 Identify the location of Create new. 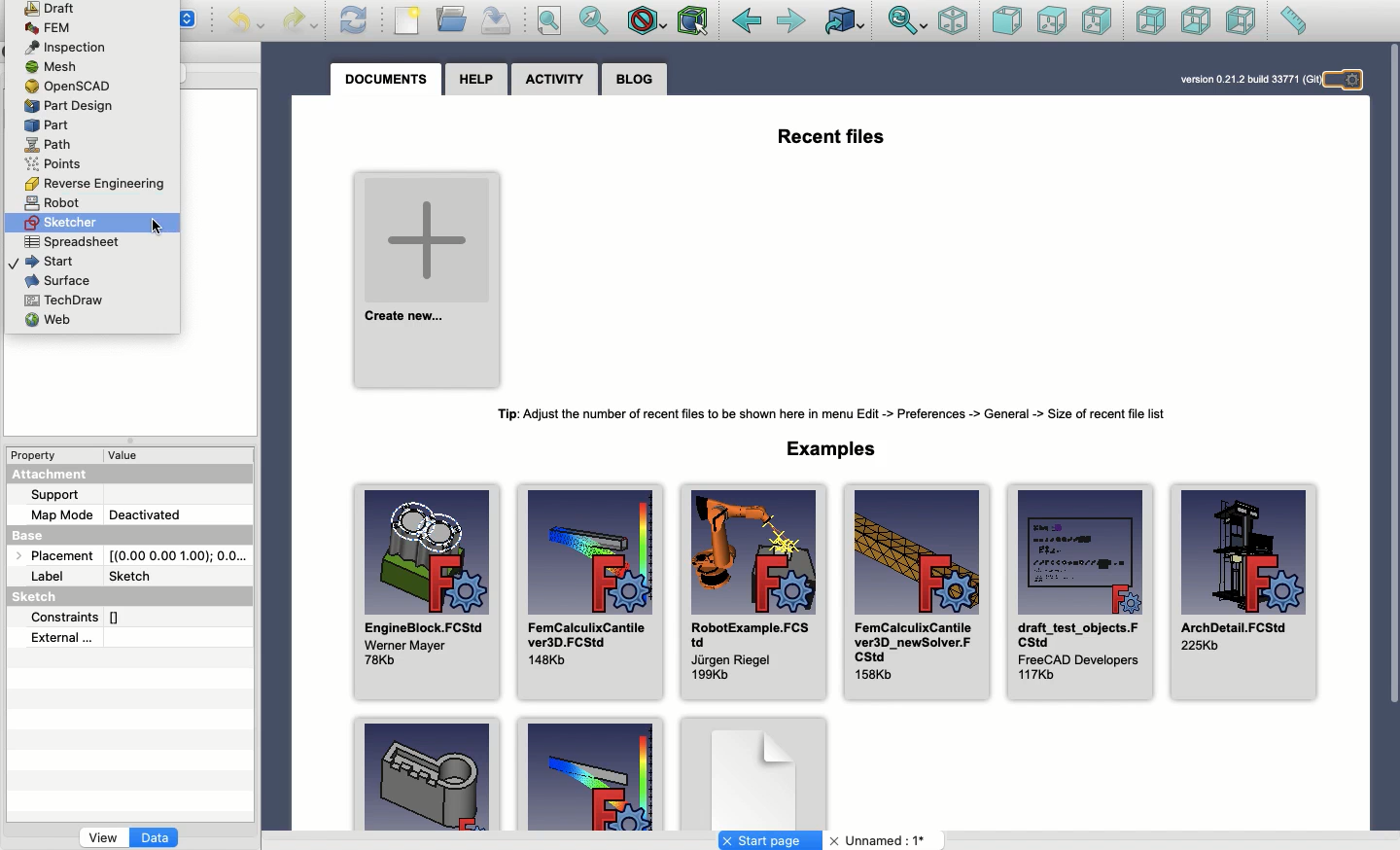
(429, 282).